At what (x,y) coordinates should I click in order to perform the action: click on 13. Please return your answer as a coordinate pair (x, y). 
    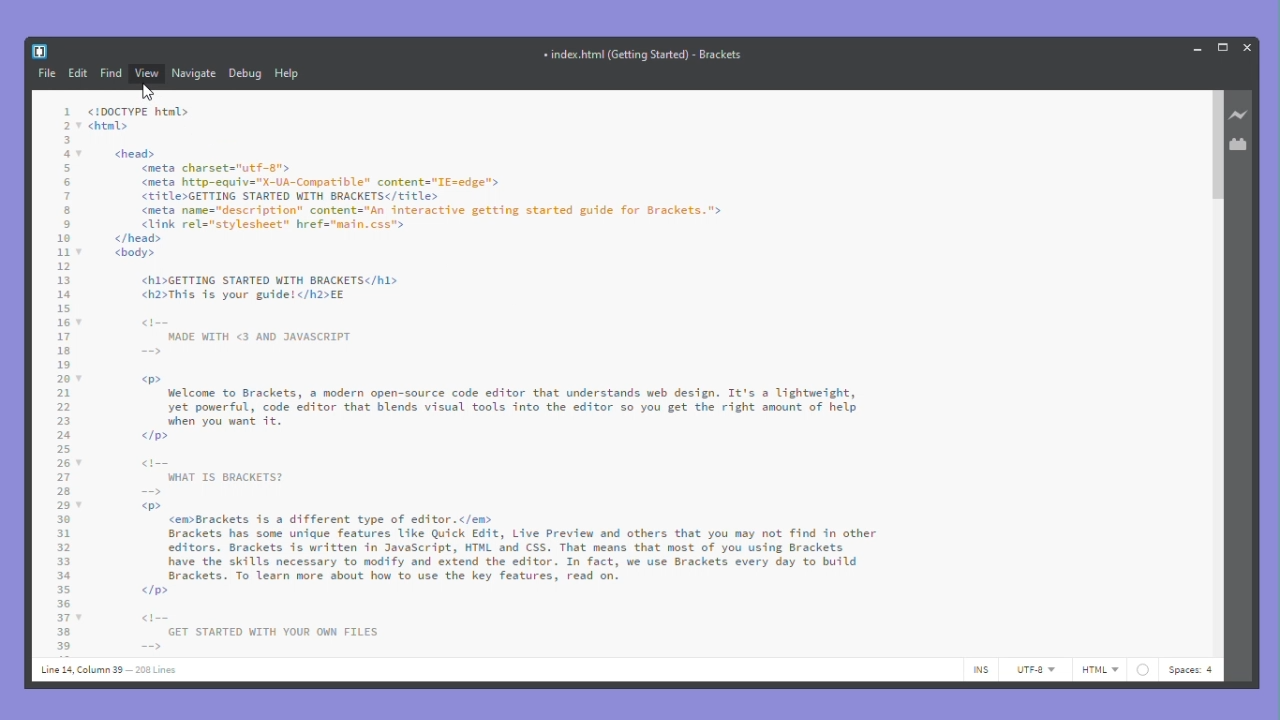
    Looking at the image, I should click on (63, 280).